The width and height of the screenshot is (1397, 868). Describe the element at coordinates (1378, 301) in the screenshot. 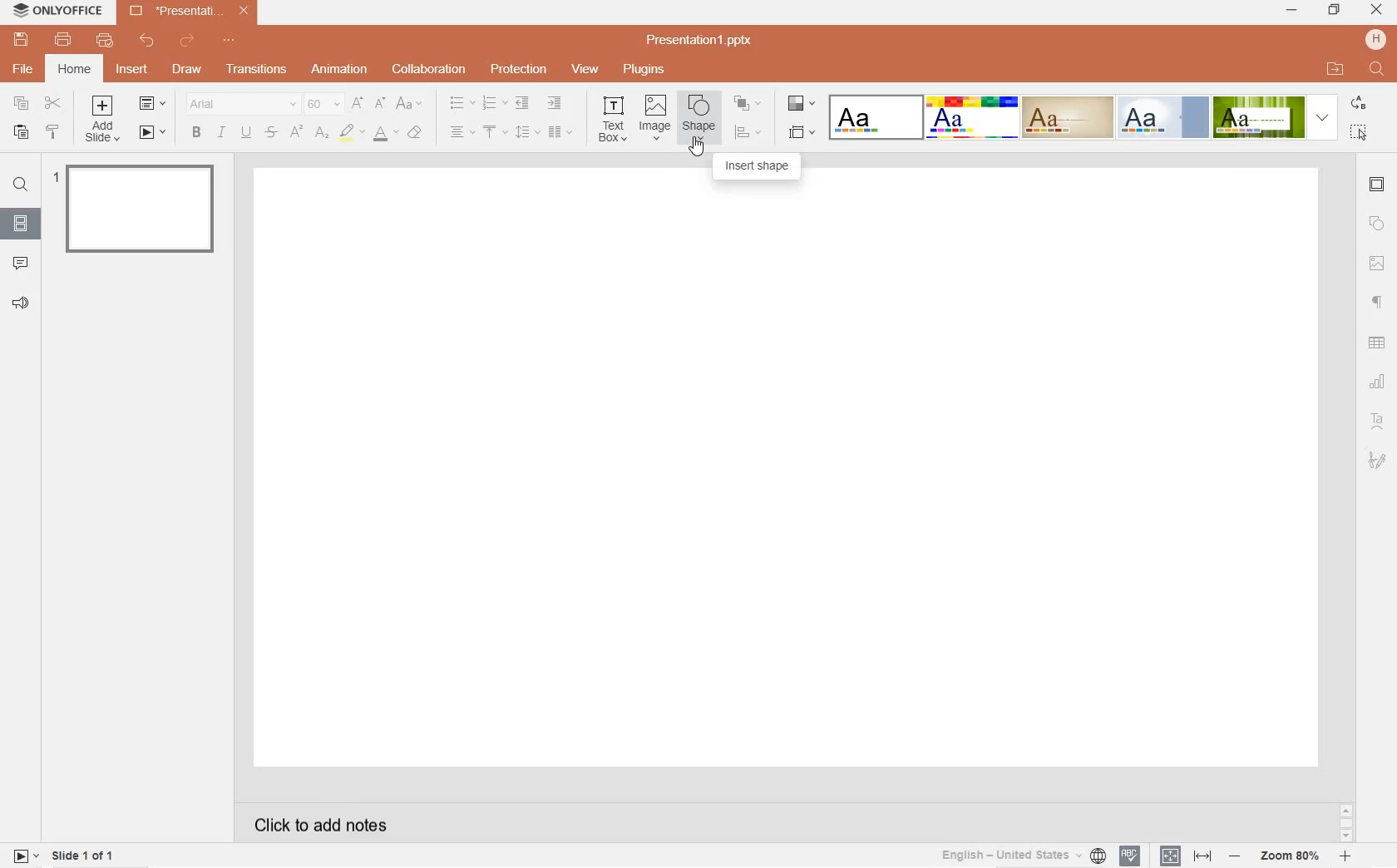

I see `paragraph settings` at that location.